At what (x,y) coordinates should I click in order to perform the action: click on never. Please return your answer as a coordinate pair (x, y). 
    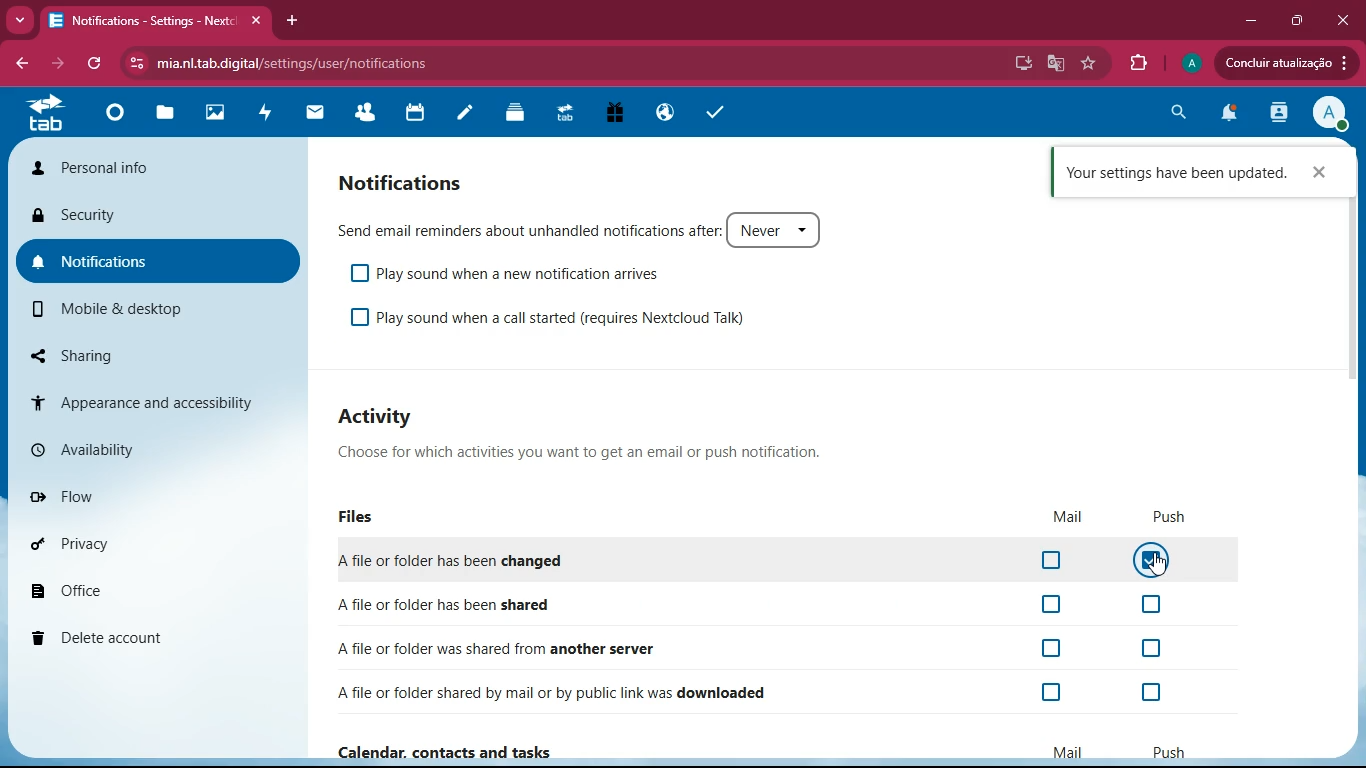
    Looking at the image, I should click on (774, 231).